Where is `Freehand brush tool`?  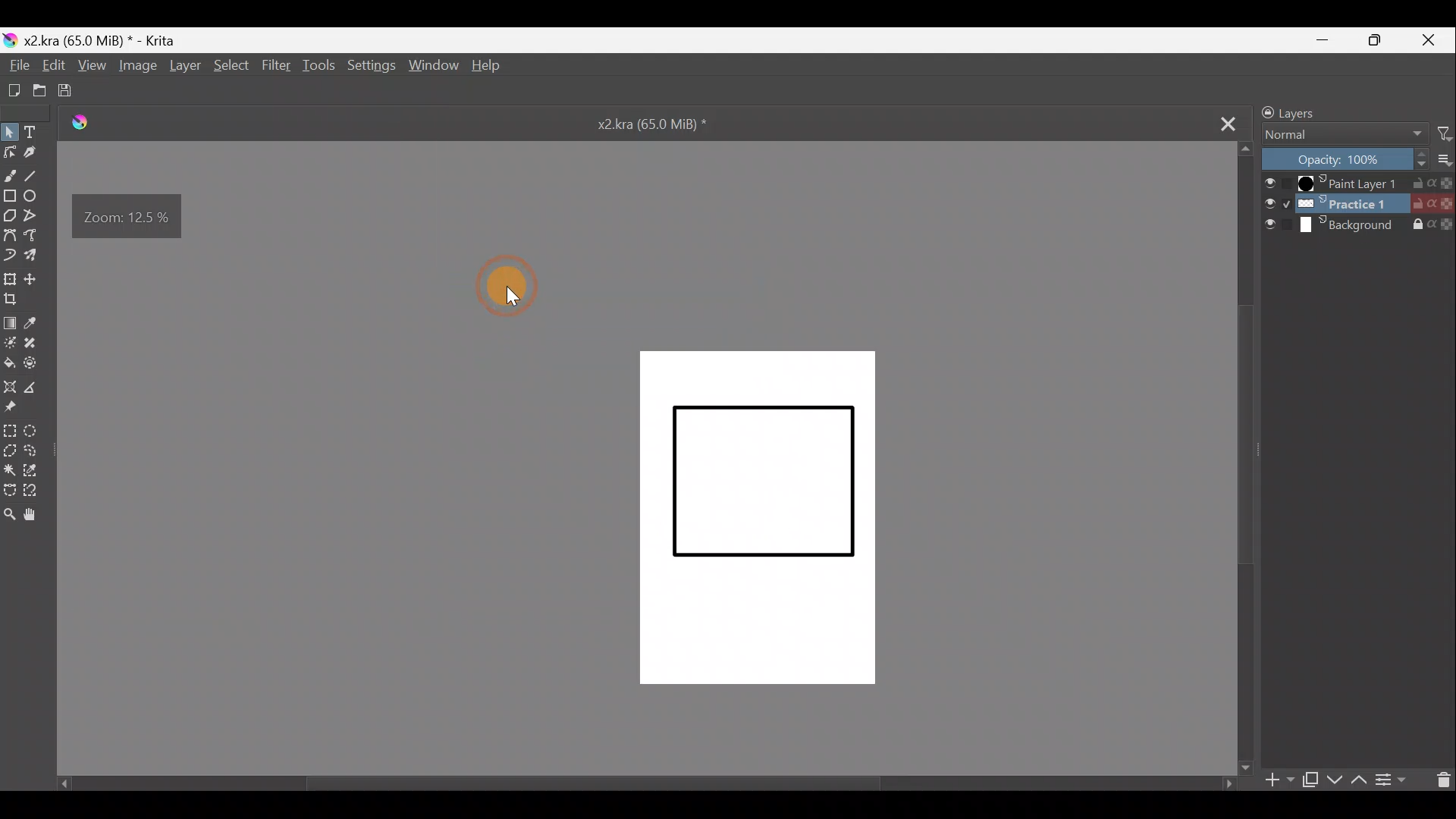
Freehand brush tool is located at coordinates (9, 175).